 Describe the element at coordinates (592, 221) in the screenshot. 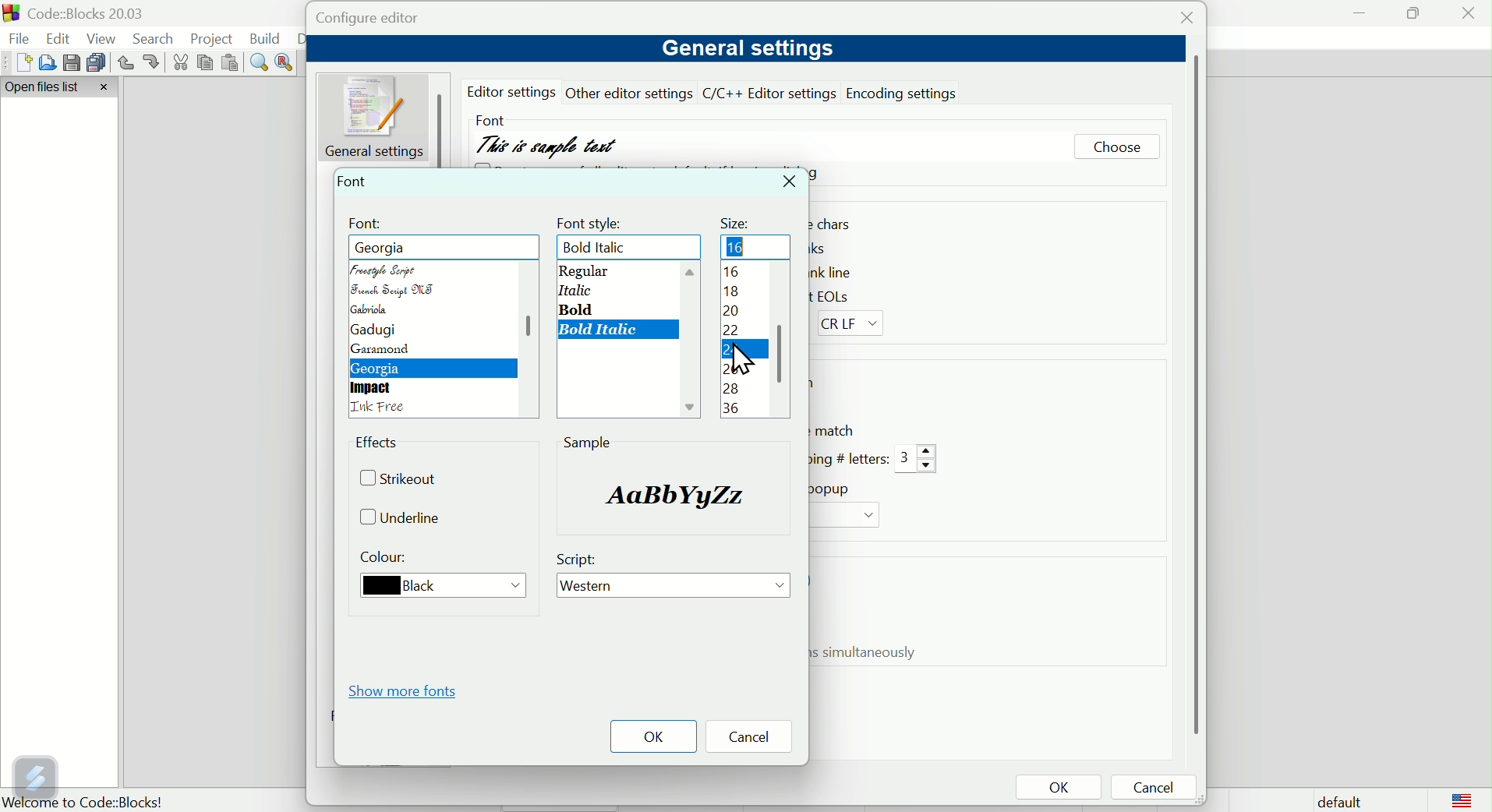

I see `font style` at that location.